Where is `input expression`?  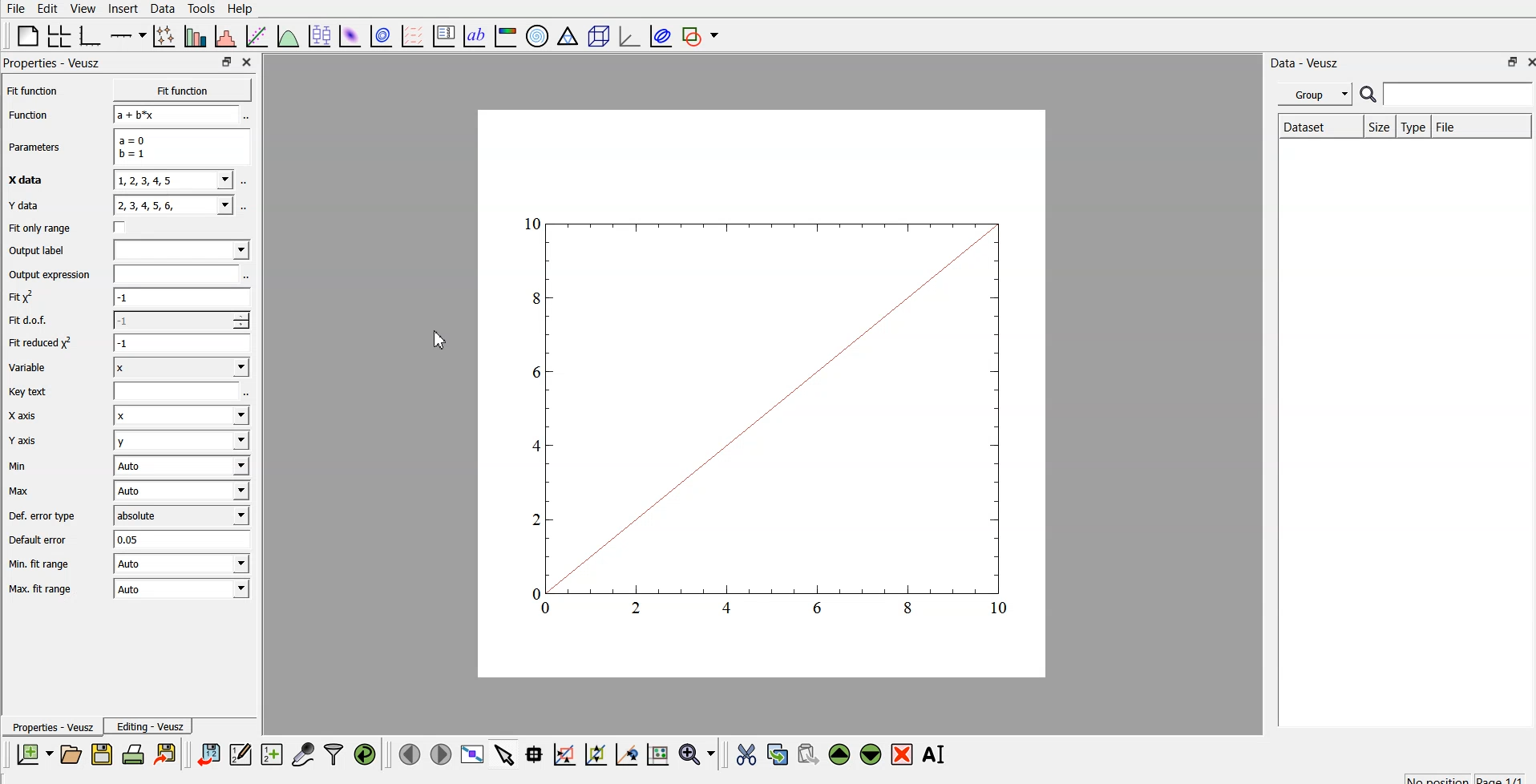
input expression is located at coordinates (182, 275).